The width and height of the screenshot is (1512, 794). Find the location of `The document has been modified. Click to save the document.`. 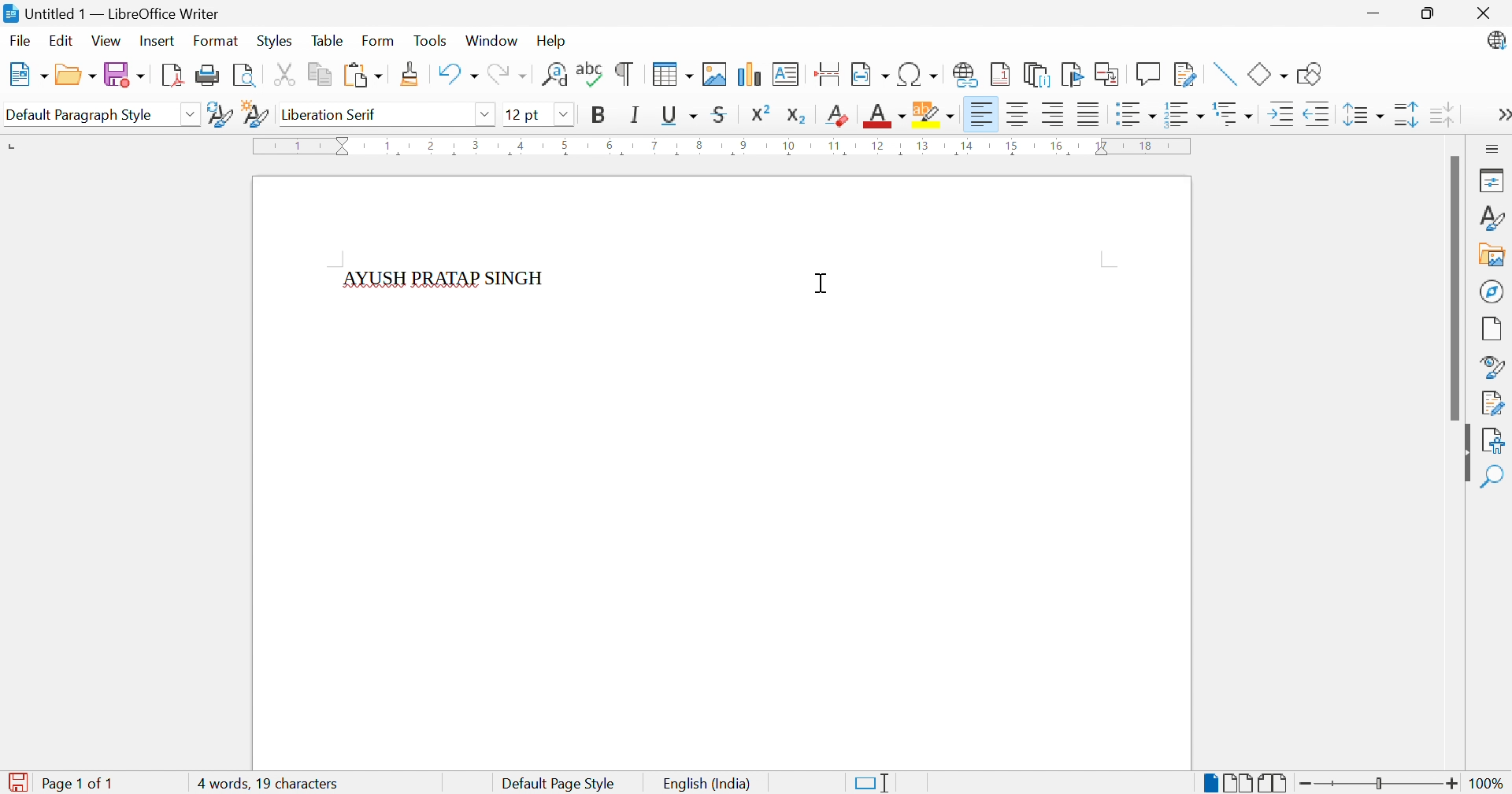

The document has been modified. Click to save the document. is located at coordinates (20, 781).